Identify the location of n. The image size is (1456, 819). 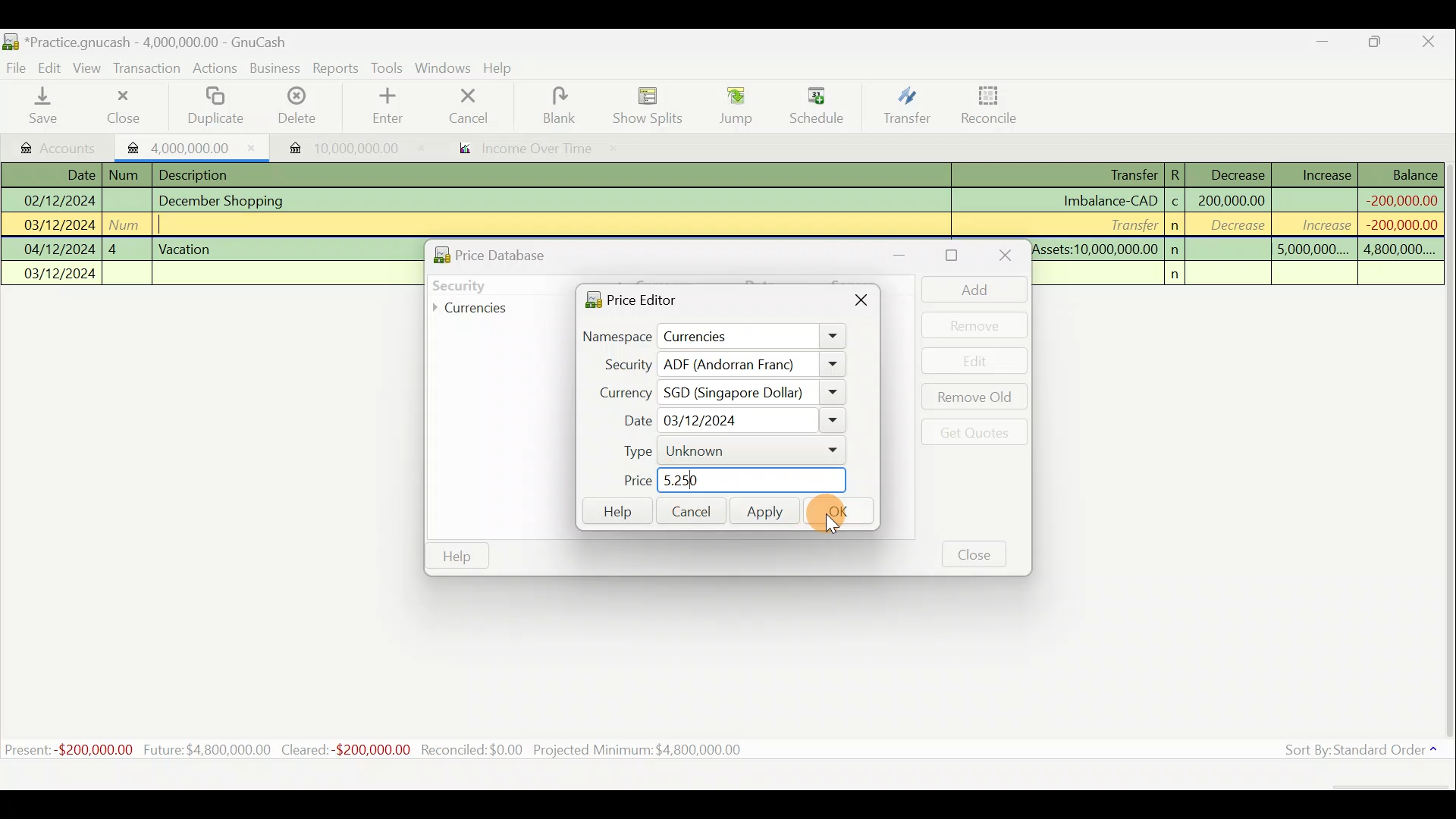
(1177, 249).